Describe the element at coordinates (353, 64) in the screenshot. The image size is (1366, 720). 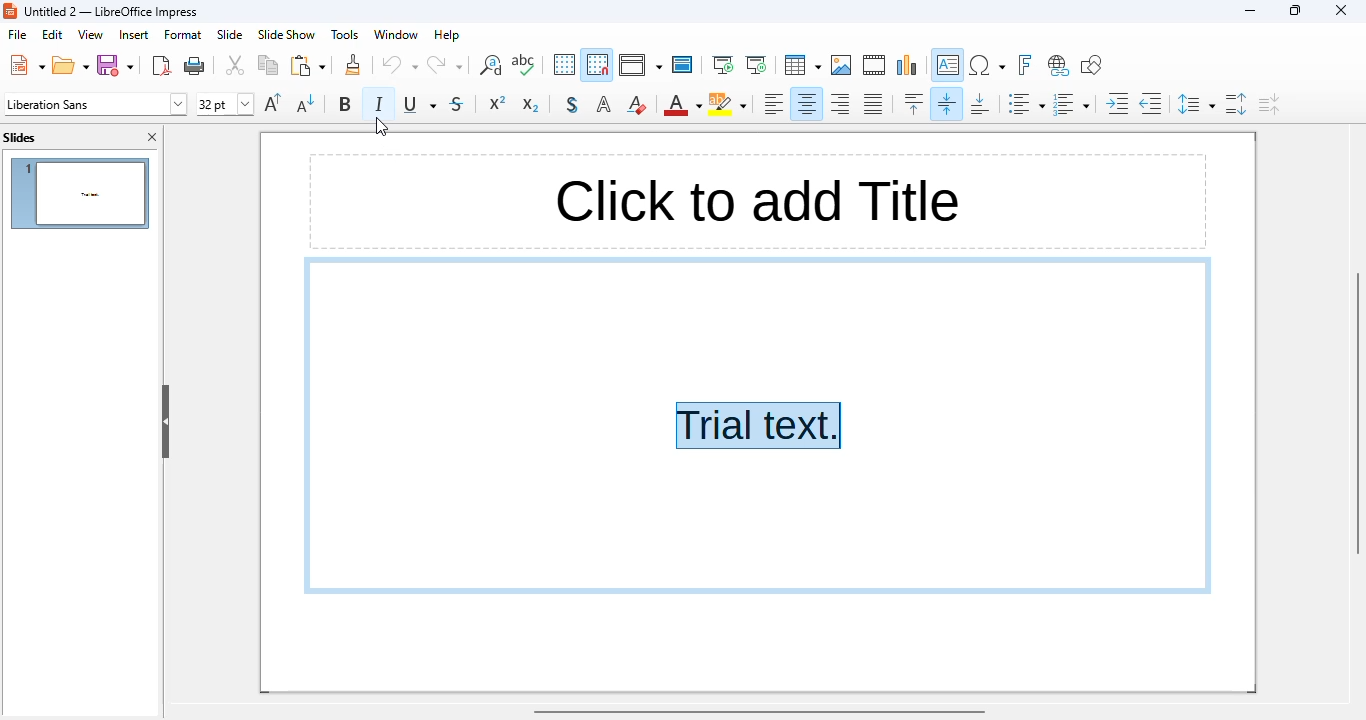
I see `clone formatting` at that location.